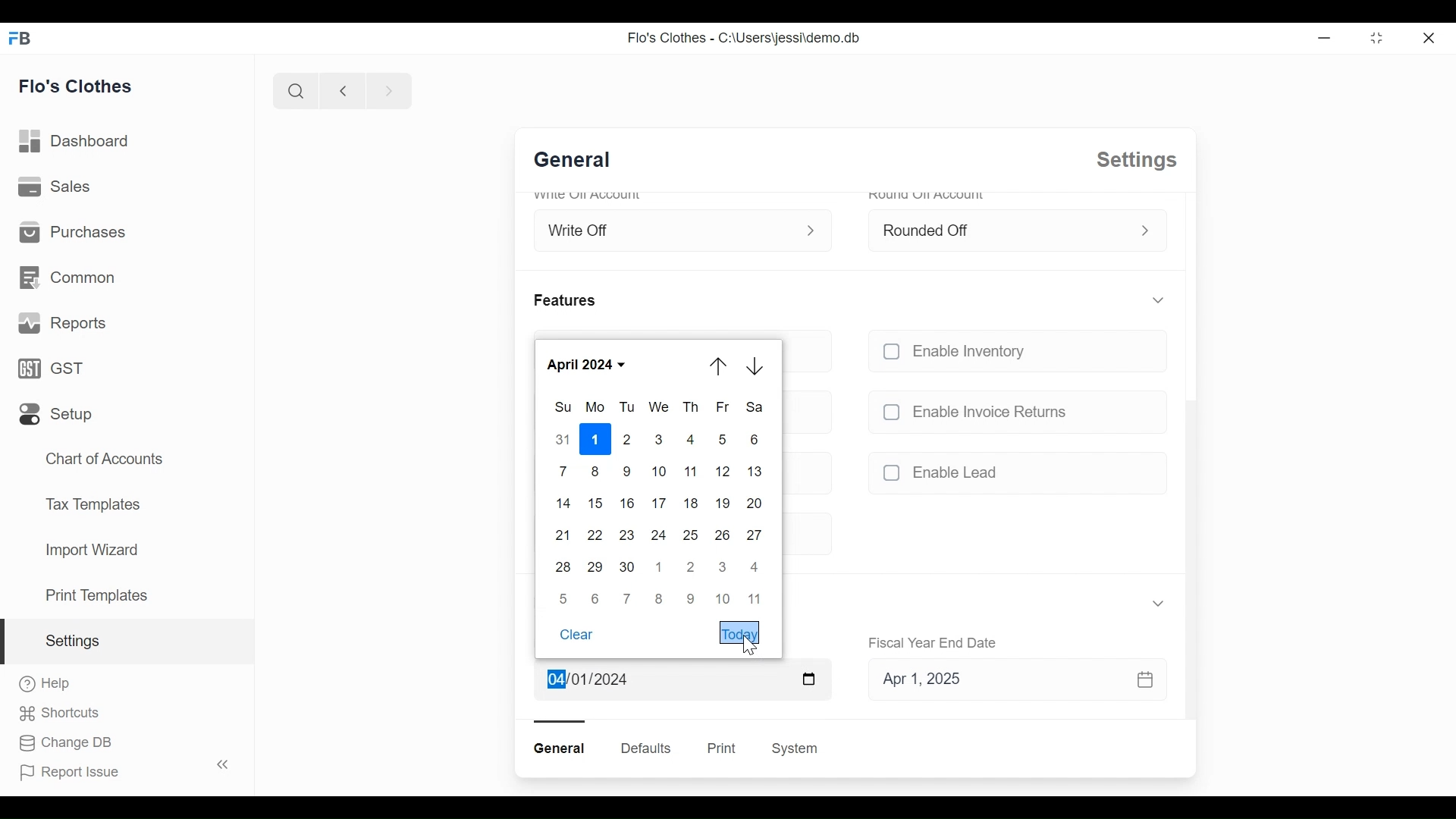 The image size is (1456, 819). Describe the element at coordinates (690, 534) in the screenshot. I see `25` at that location.